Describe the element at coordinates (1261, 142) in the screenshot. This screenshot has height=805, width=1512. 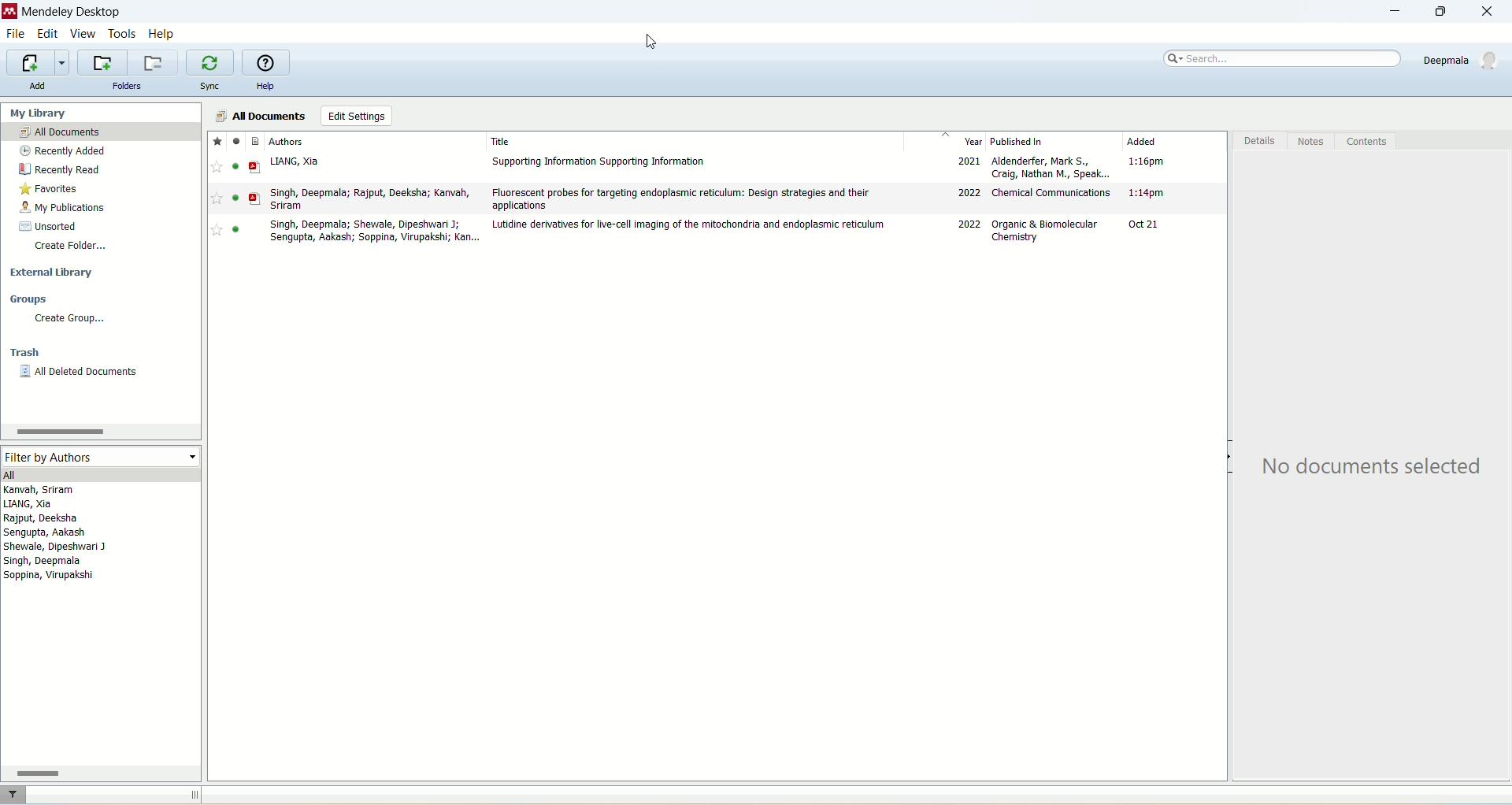
I see `details` at that location.